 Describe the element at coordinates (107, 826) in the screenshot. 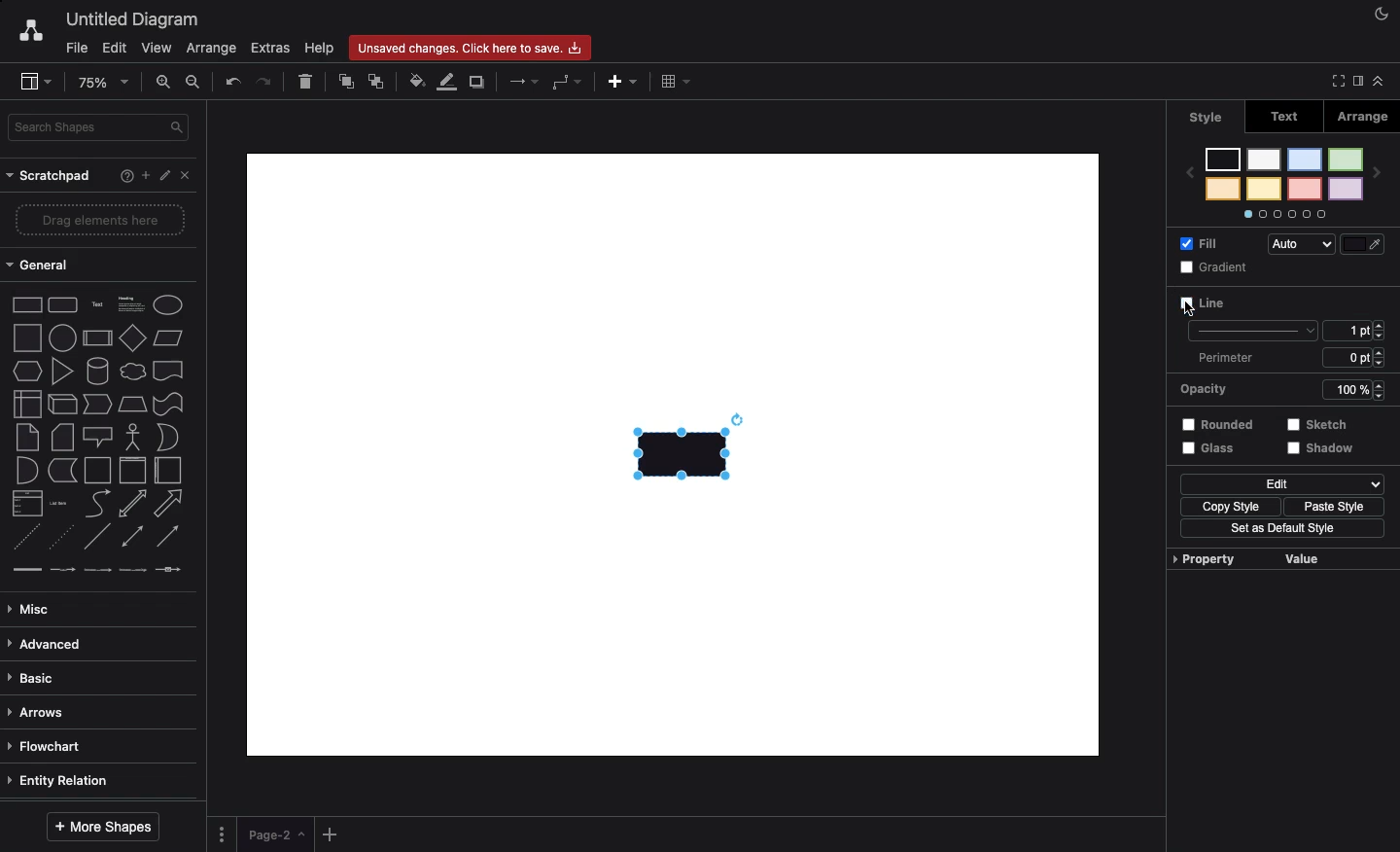

I see `More shapes` at that location.